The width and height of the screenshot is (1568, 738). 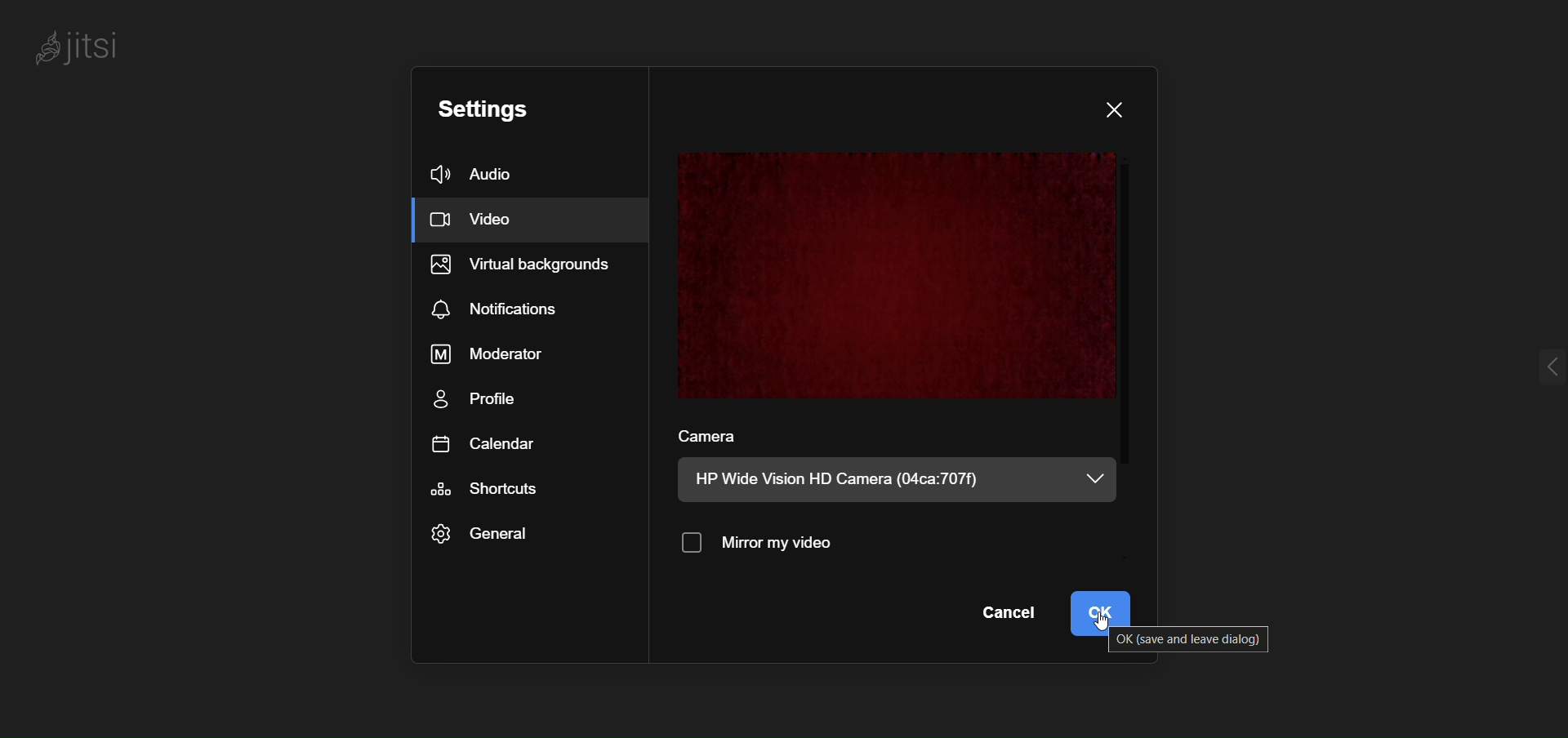 What do you see at coordinates (1107, 625) in the screenshot?
I see `cursor` at bounding box center [1107, 625].